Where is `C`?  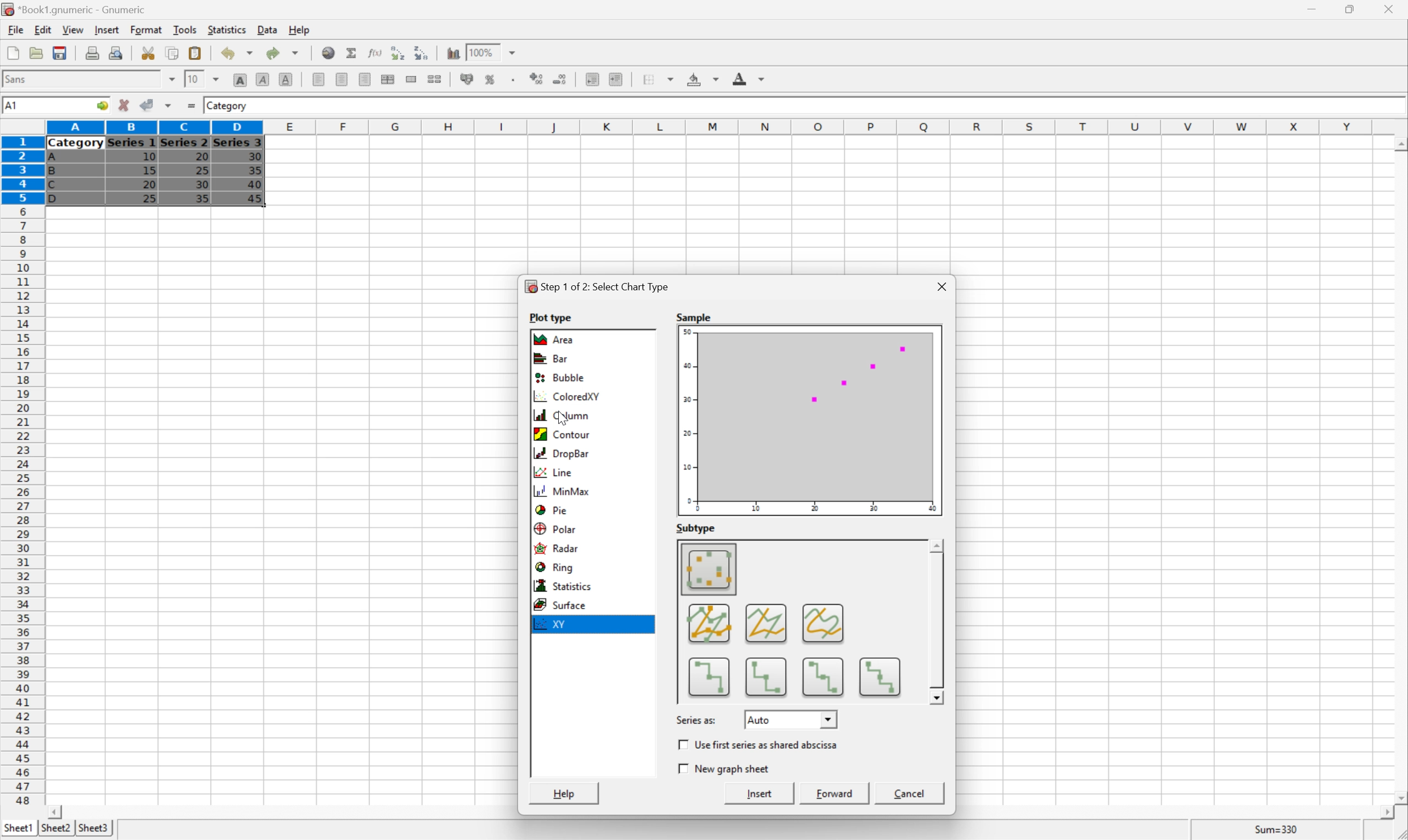 C is located at coordinates (52, 186).